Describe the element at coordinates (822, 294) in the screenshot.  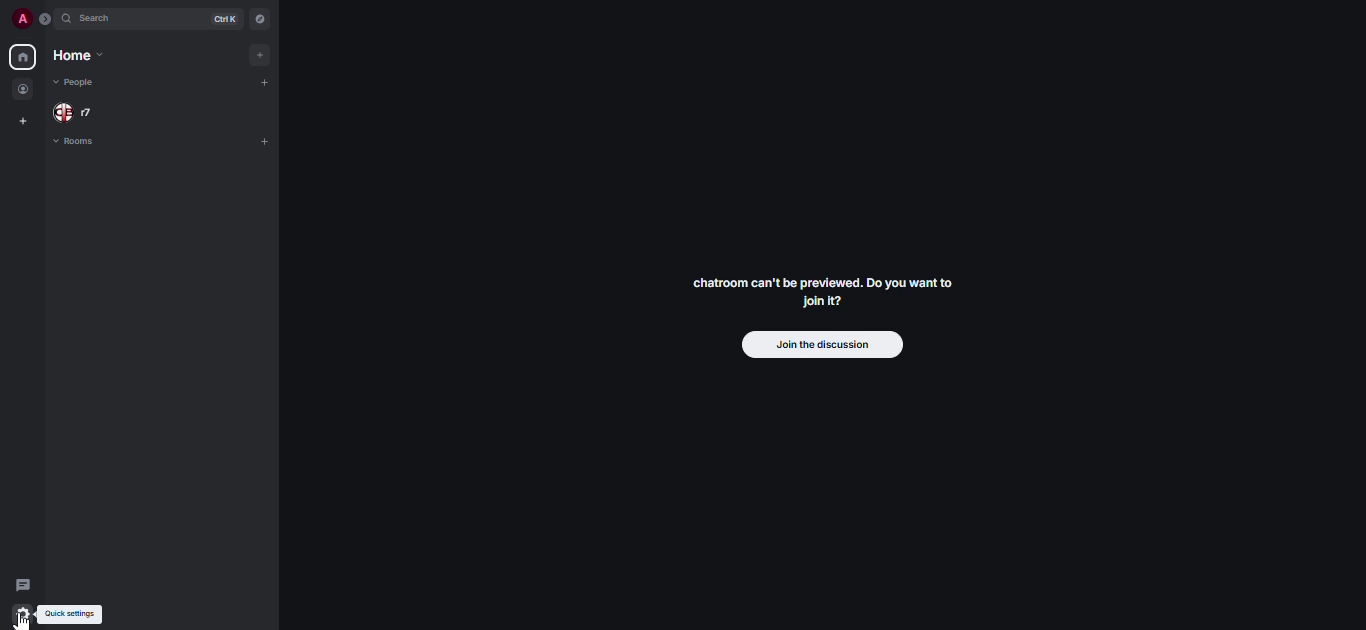
I see `chatroom can't be previewed. Join it?` at that location.